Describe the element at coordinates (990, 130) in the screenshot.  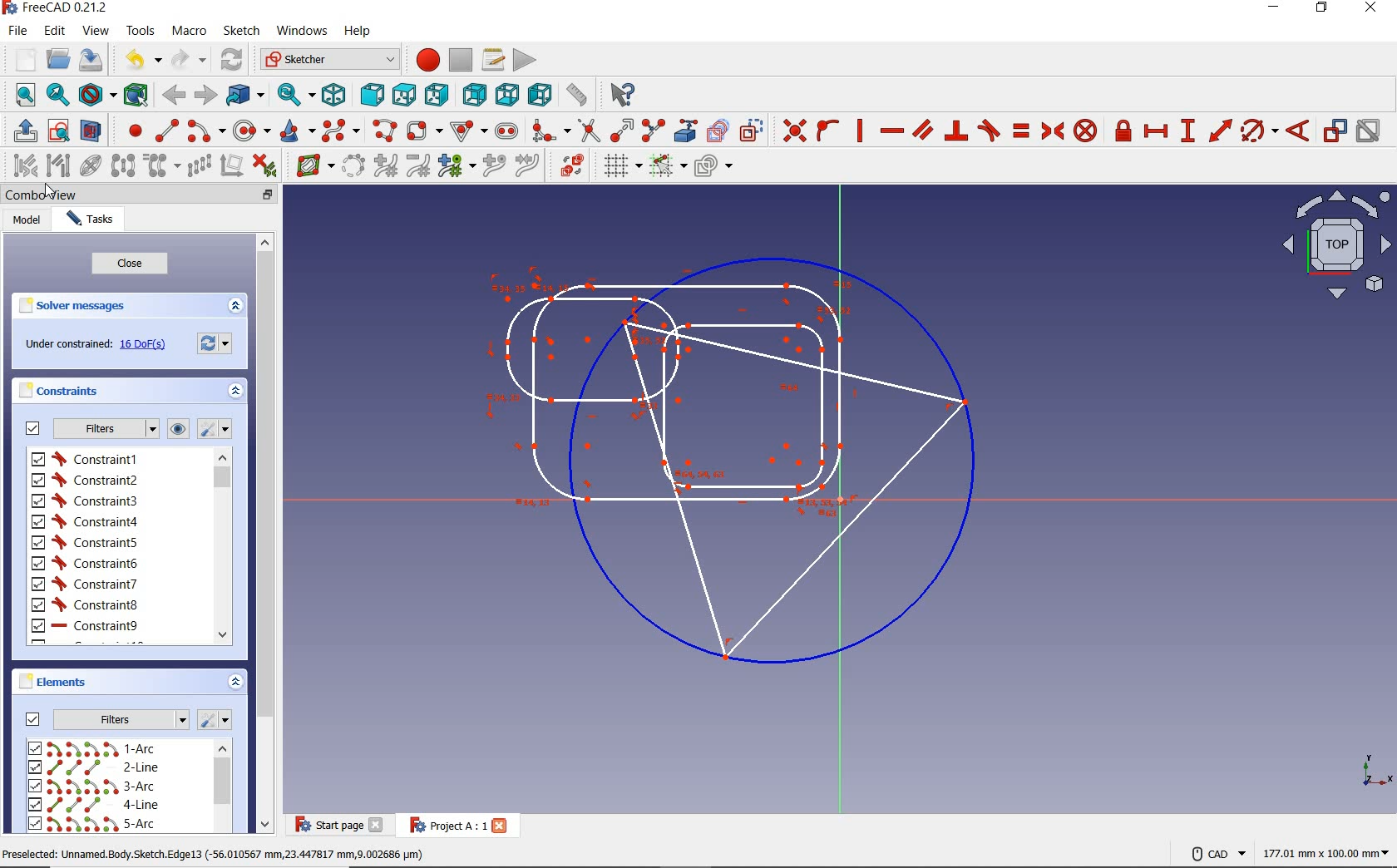
I see `constrain tangent` at that location.